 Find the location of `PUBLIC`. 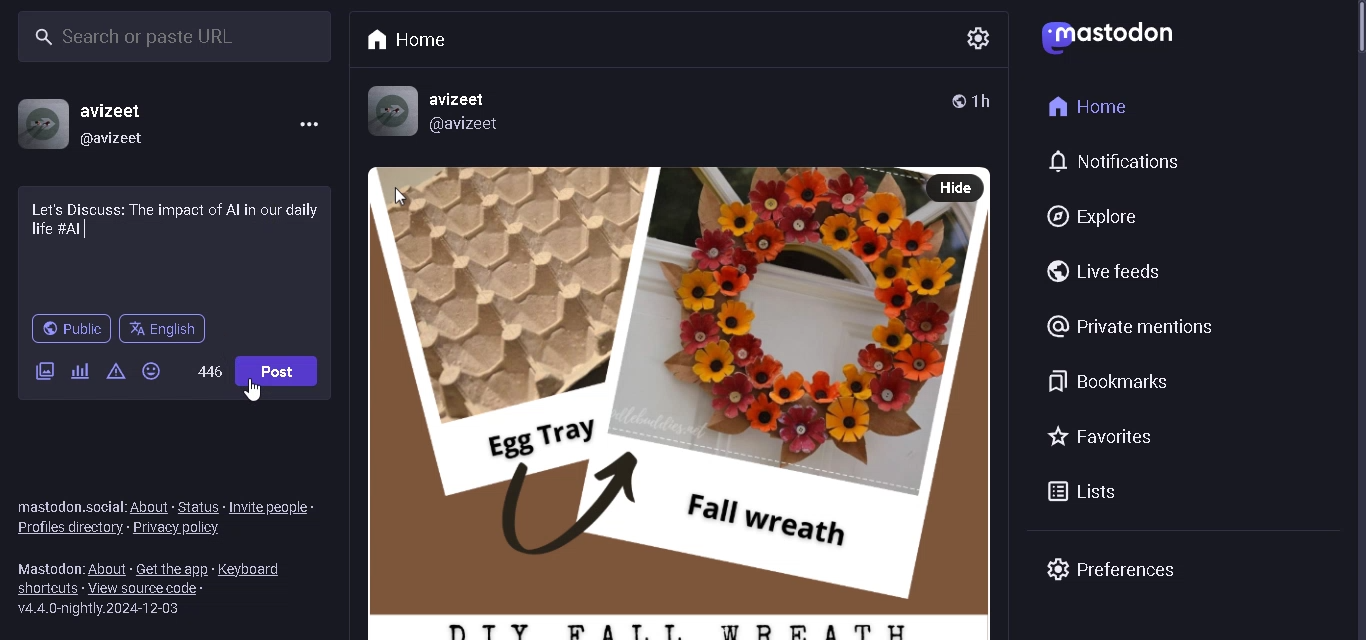

PUBLIC is located at coordinates (69, 329).